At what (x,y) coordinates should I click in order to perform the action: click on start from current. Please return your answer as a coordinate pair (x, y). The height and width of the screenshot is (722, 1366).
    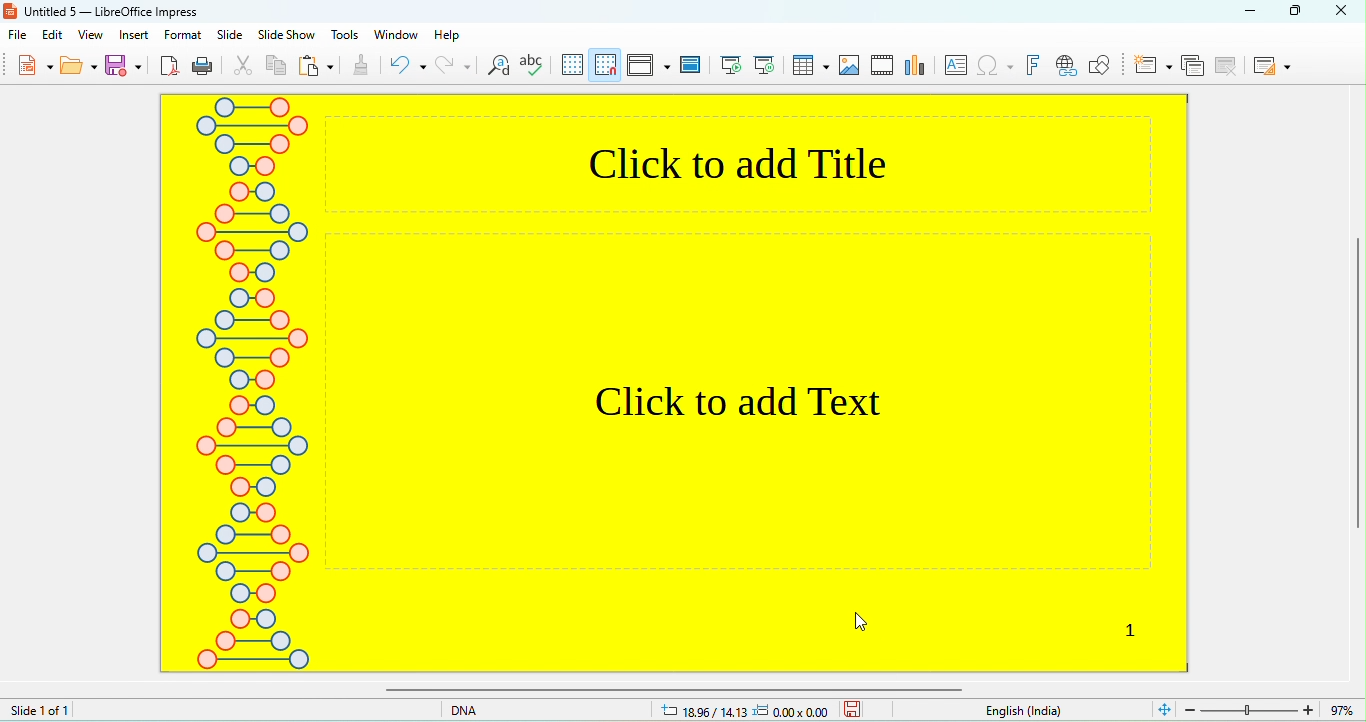
    Looking at the image, I should click on (764, 63).